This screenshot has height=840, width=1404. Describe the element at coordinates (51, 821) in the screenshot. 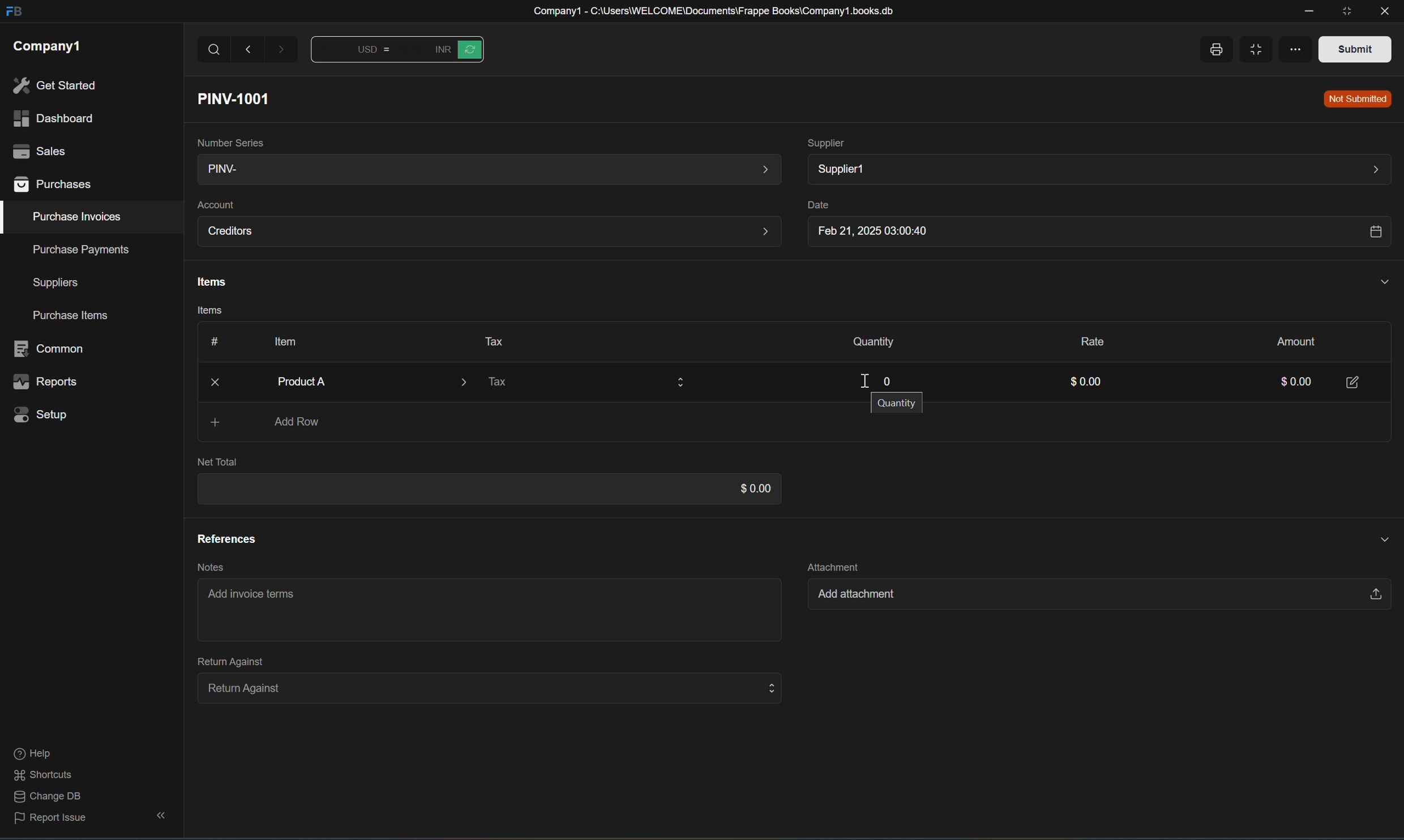

I see `report issue` at that location.